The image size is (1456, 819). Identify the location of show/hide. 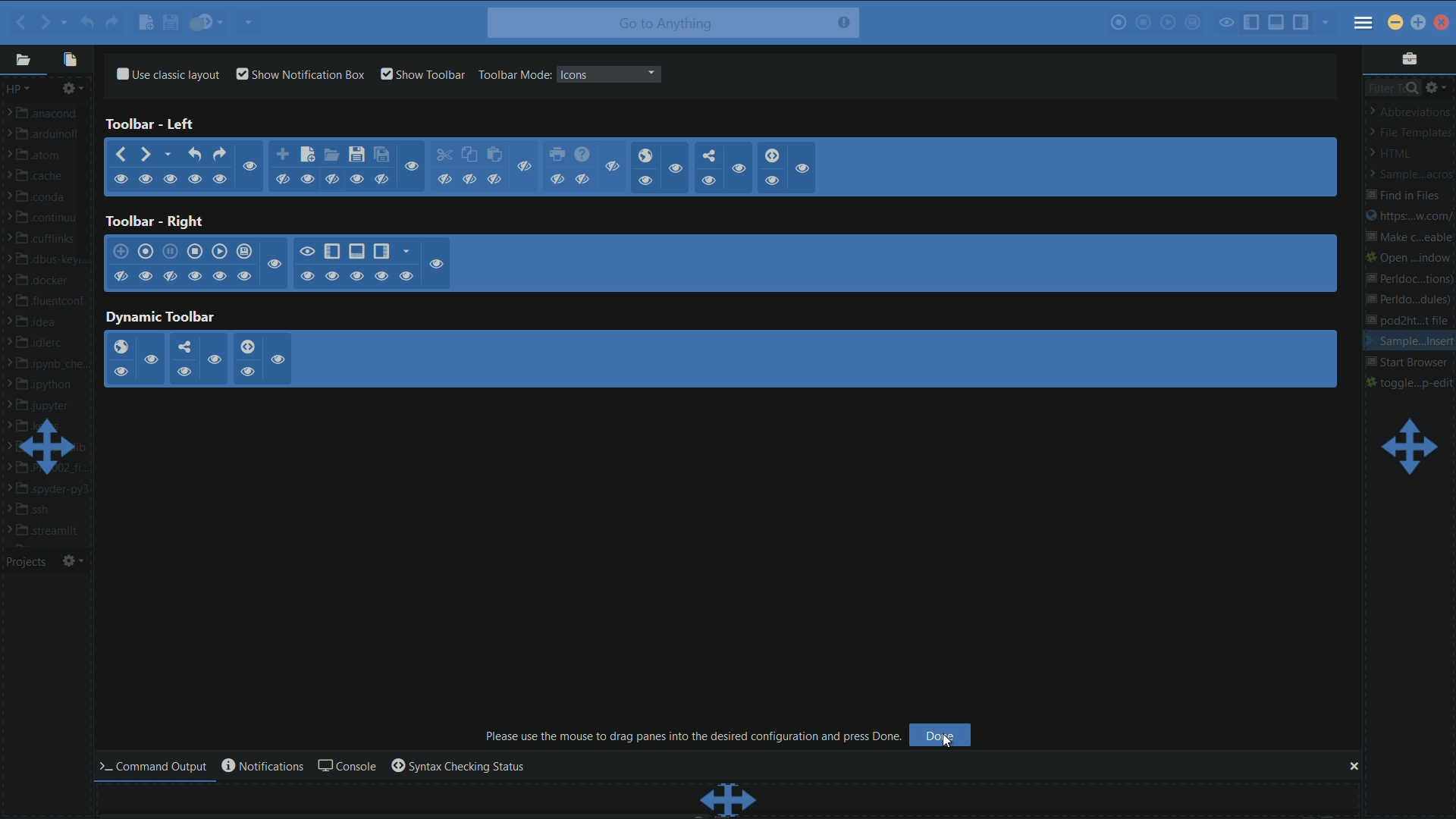
(383, 179).